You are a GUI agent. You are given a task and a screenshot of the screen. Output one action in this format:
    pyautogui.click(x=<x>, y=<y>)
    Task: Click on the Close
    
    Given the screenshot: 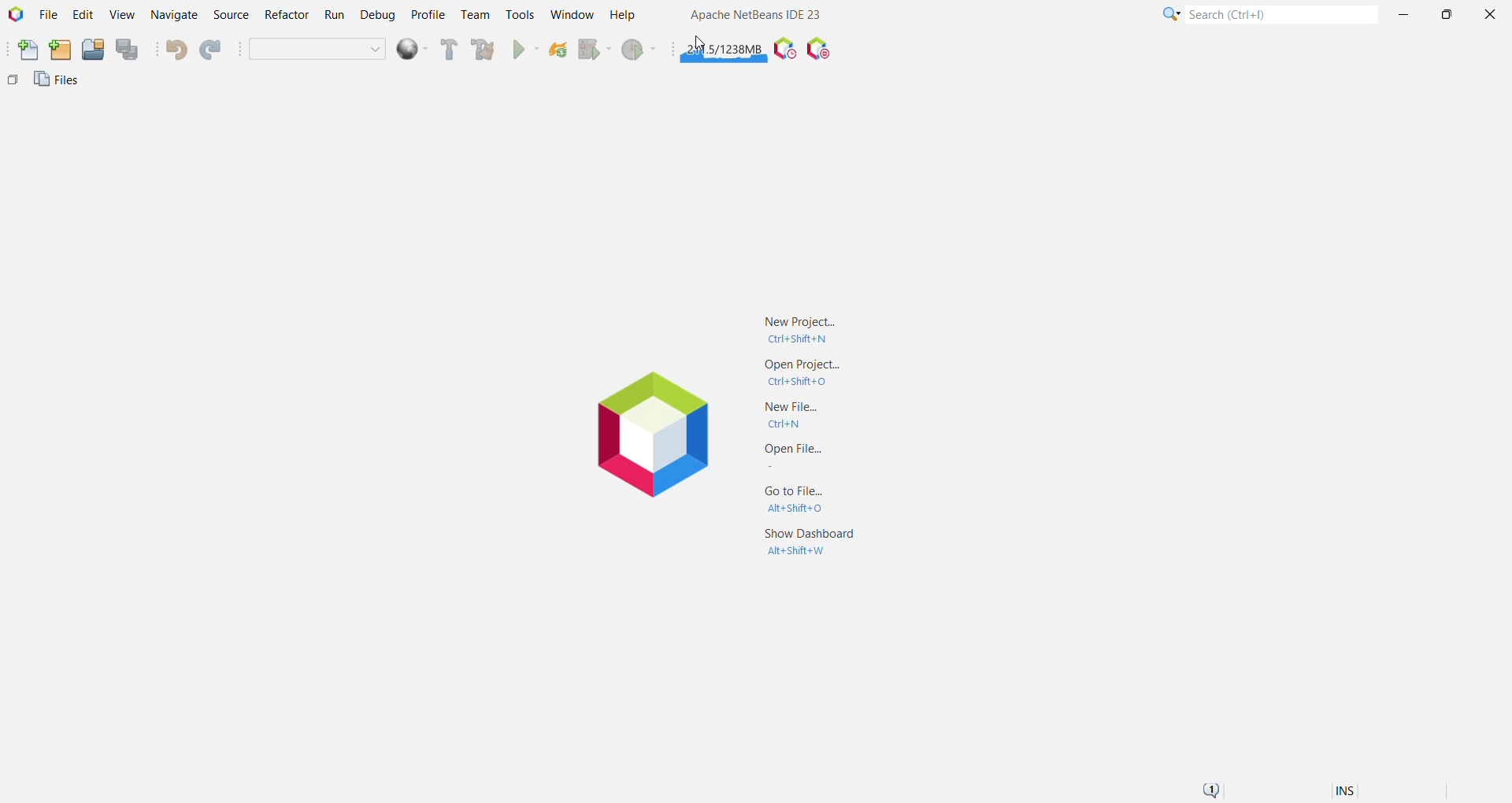 What is the action you would take?
    pyautogui.click(x=1492, y=13)
    